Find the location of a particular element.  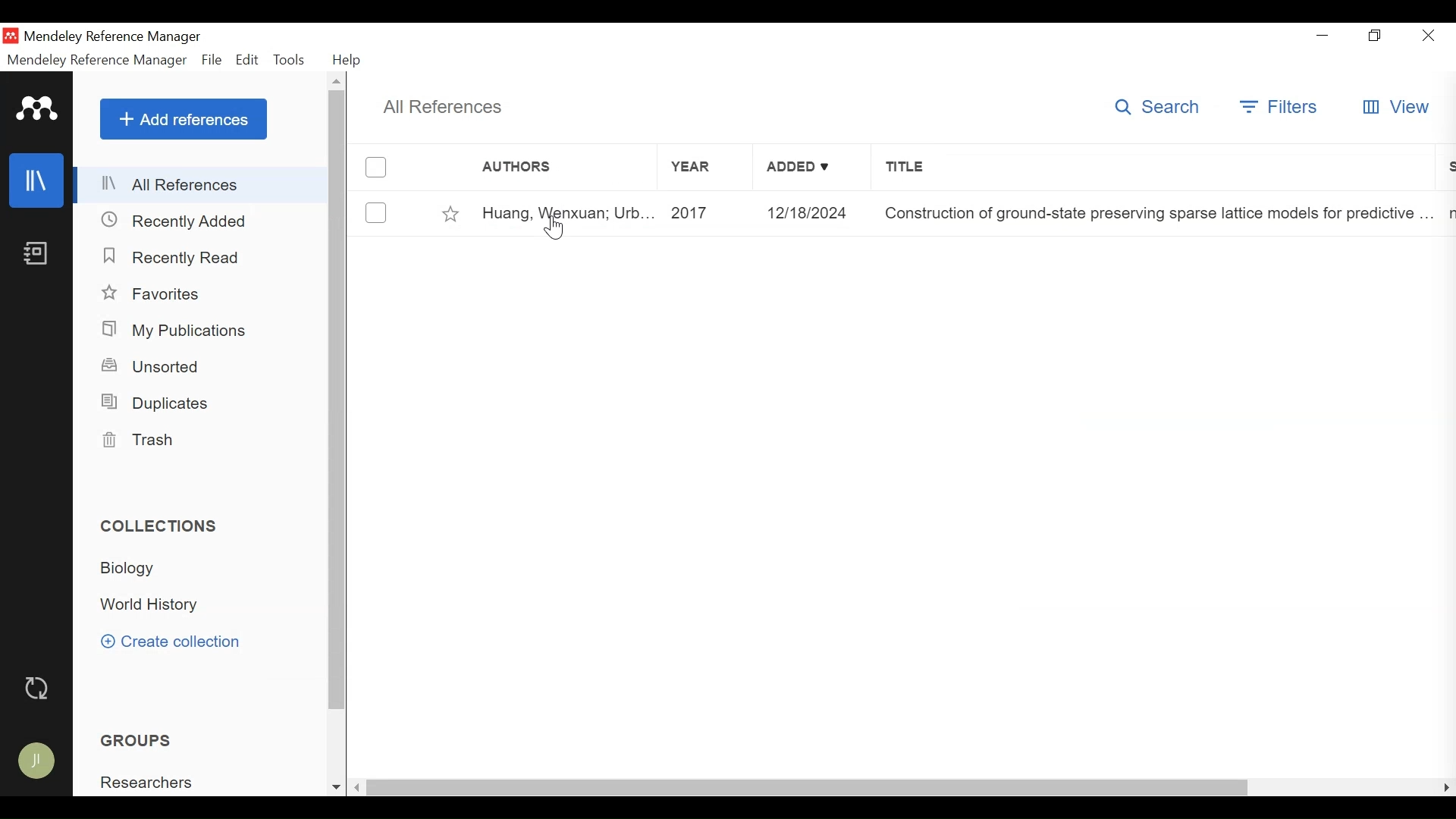

Unsorted is located at coordinates (158, 367).